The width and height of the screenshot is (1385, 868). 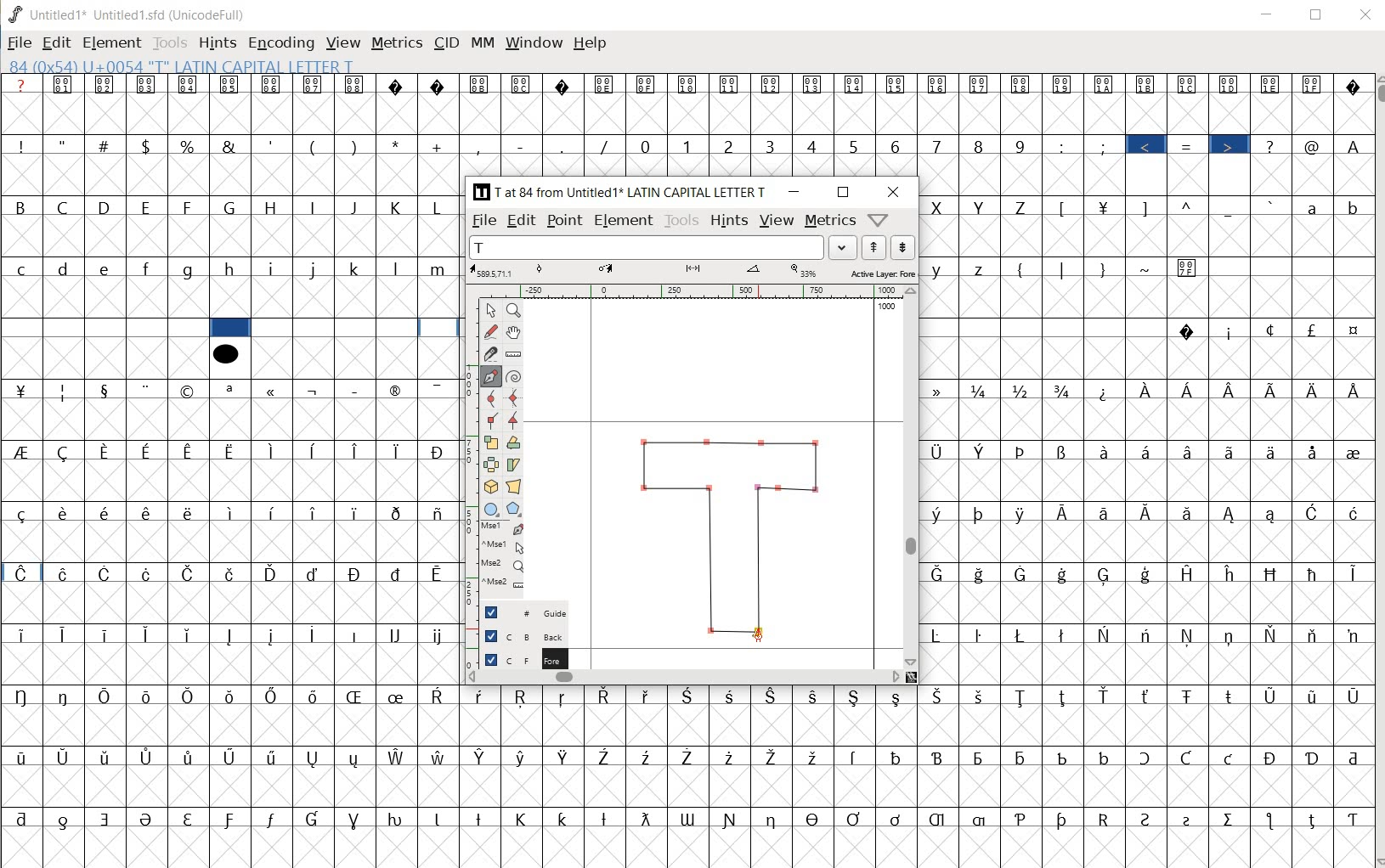 What do you see at coordinates (694, 272) in the screenshot?
I see `active layer: fore` at bounding box center [694, 272].